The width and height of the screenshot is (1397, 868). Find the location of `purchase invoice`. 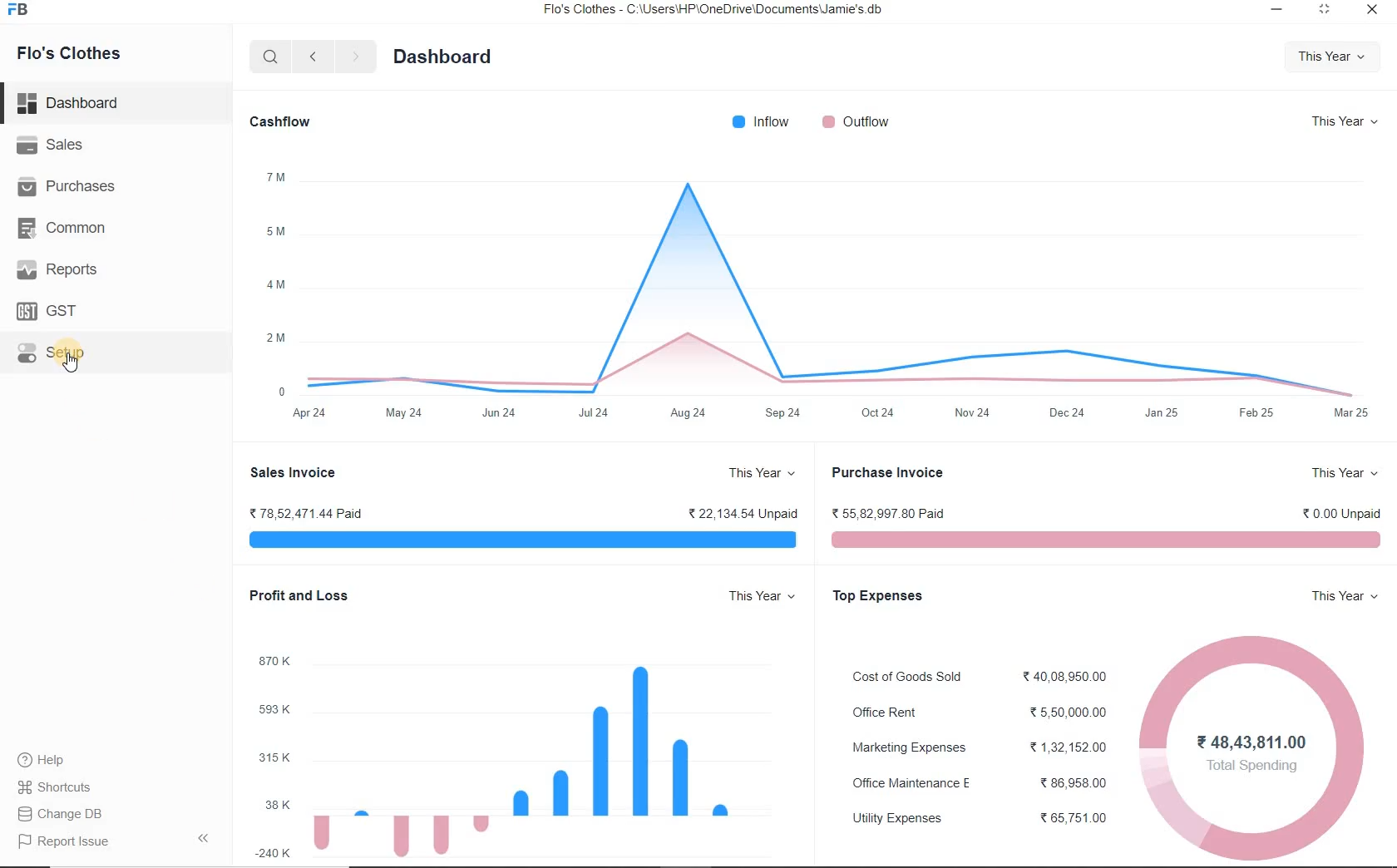

purchase invoice is located at coordinates (893, 471).